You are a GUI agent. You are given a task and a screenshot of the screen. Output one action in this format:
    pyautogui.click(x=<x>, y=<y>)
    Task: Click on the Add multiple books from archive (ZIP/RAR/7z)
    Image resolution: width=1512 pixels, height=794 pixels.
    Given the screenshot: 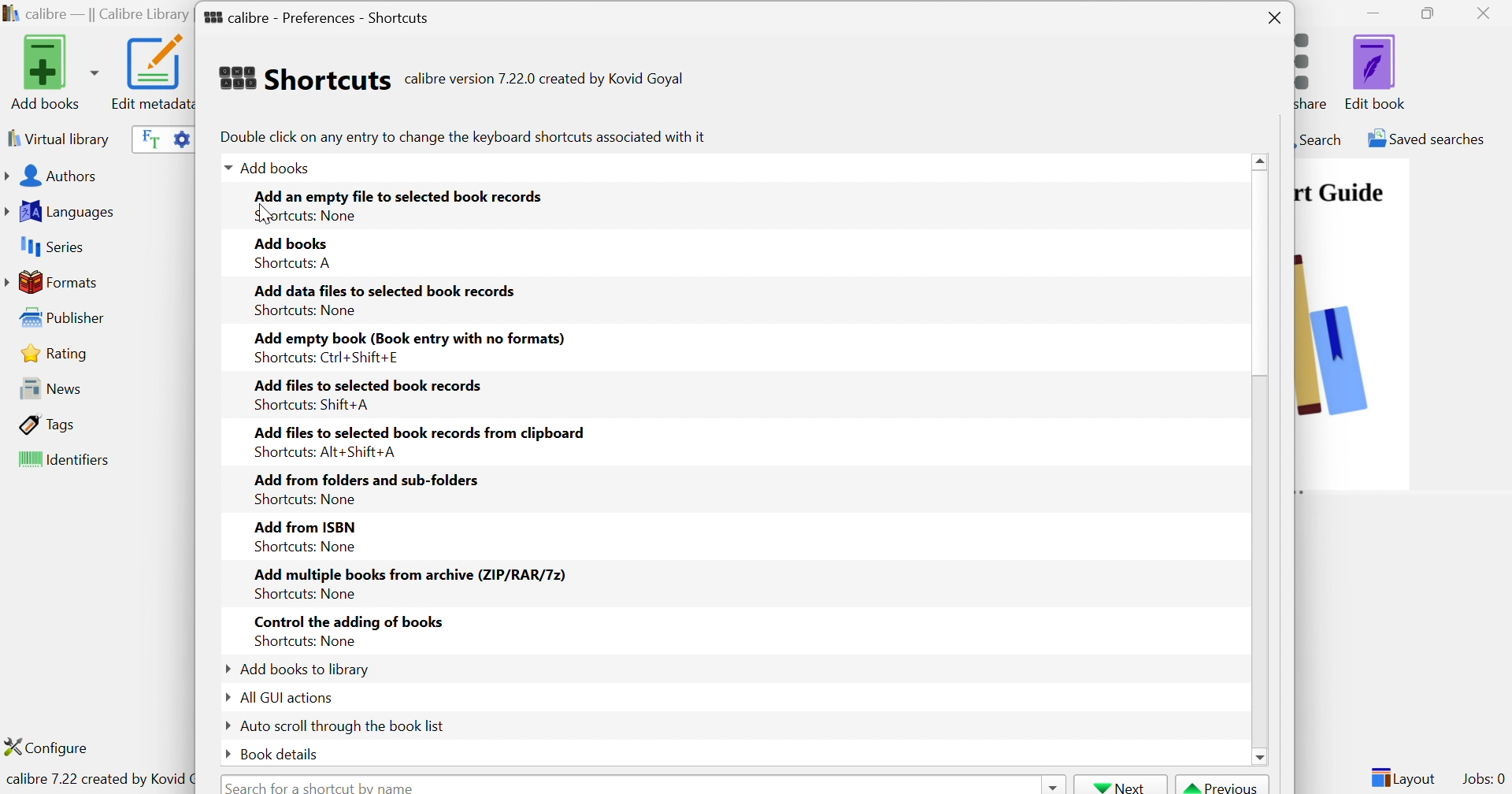 What is the action you would take?
    pyautogui.click(x=409, y=572)
    